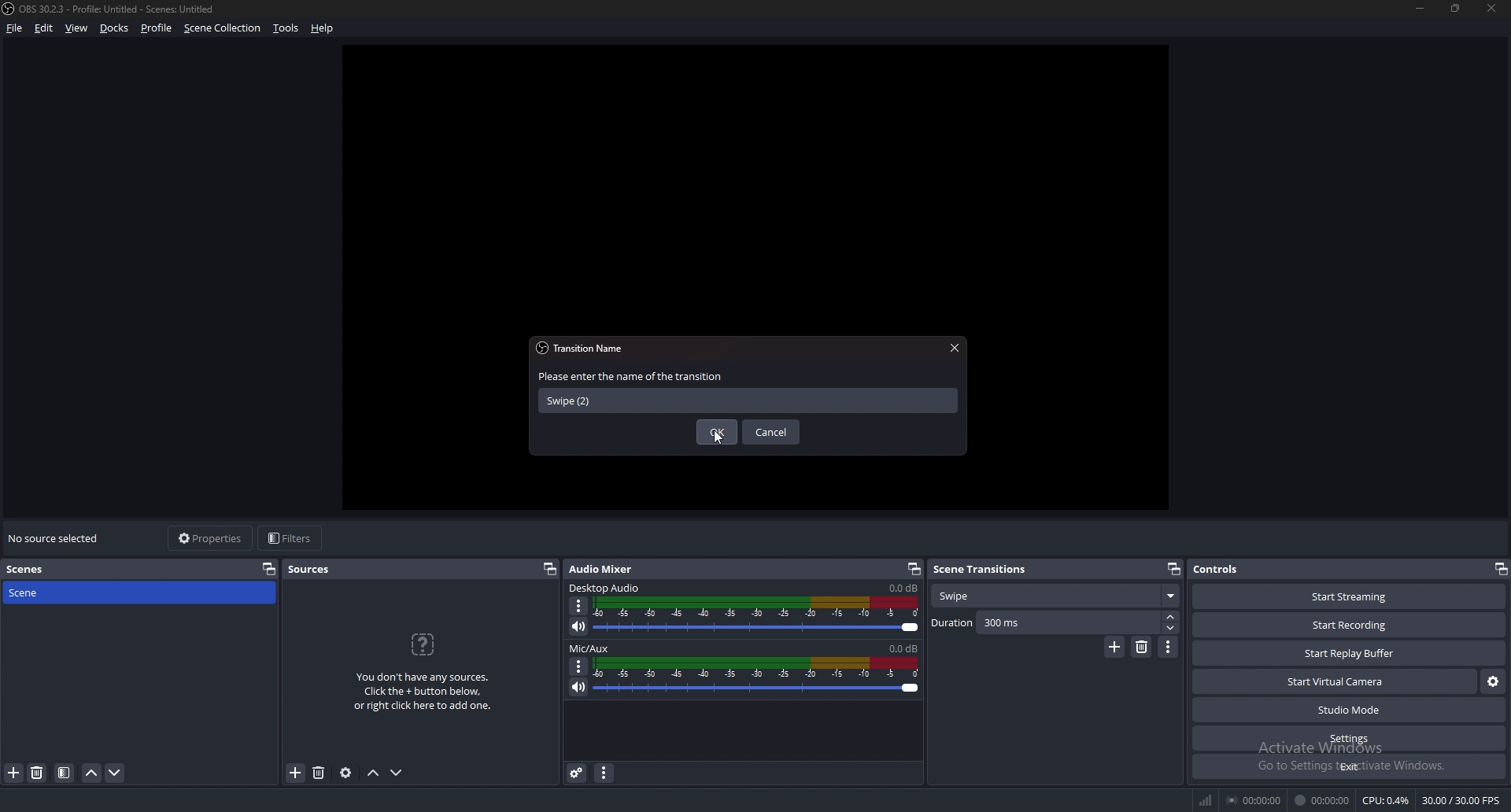 The width and height of the screenshot is (1511, 812). Describe the element at coordinates (91, 773) in the screenshot. I see `move scene up` at that location.